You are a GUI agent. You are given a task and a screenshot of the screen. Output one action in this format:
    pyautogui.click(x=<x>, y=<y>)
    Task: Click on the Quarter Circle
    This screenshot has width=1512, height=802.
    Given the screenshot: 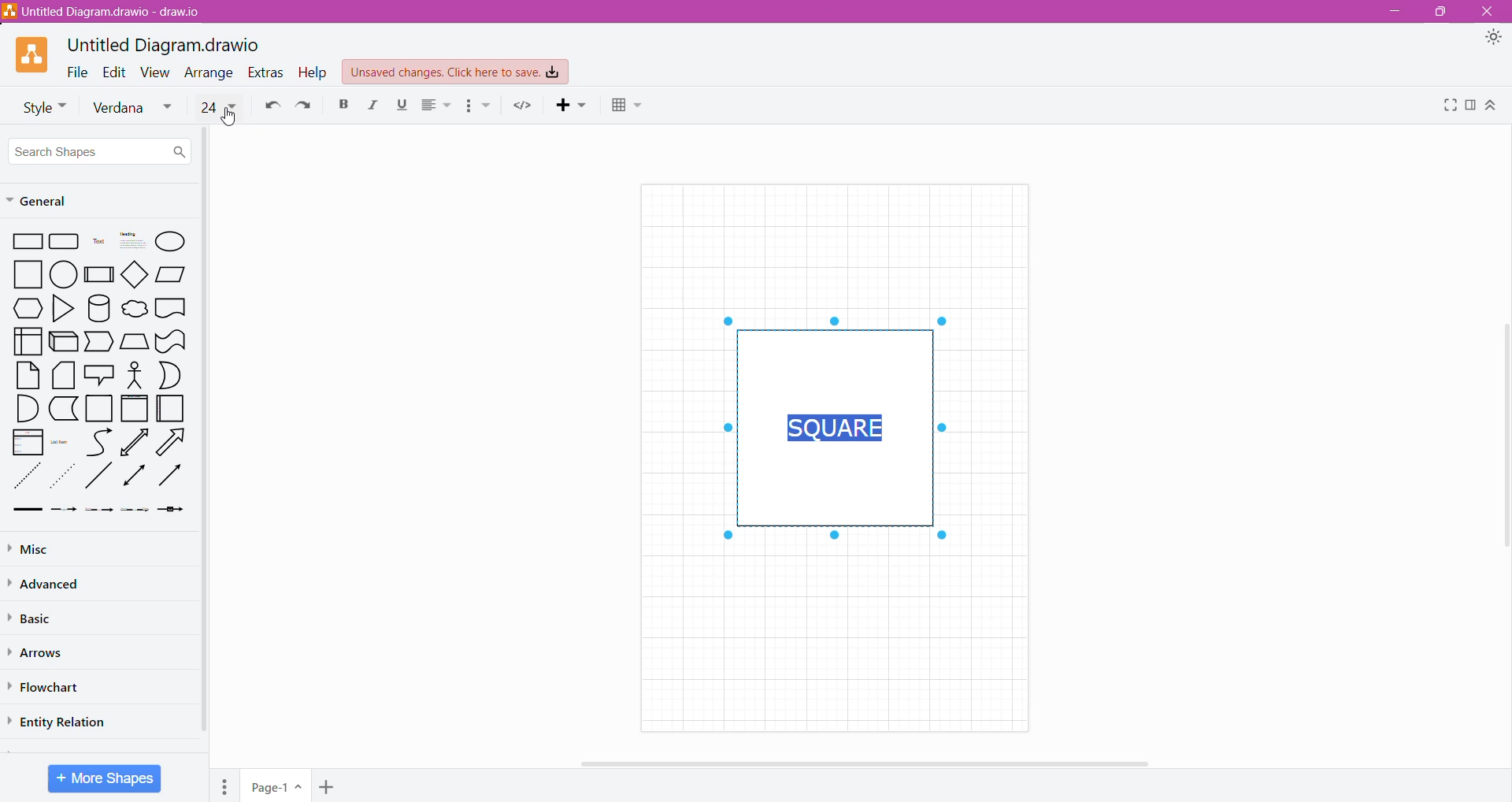 What is the action you would take?
    pyautogui.click(x=22, y=409)
    